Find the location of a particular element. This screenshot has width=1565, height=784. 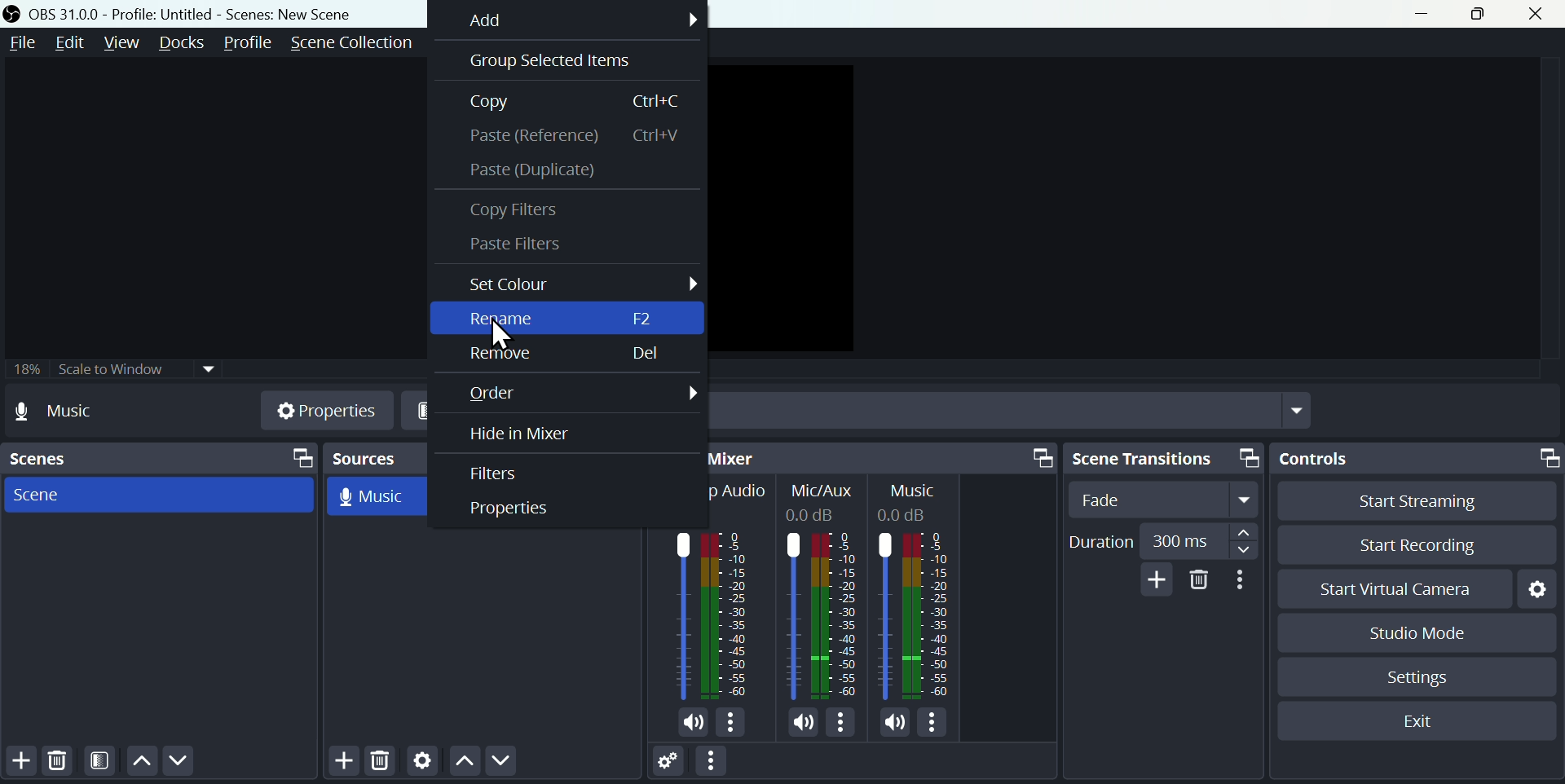

 is located at coordinates (915, 514).